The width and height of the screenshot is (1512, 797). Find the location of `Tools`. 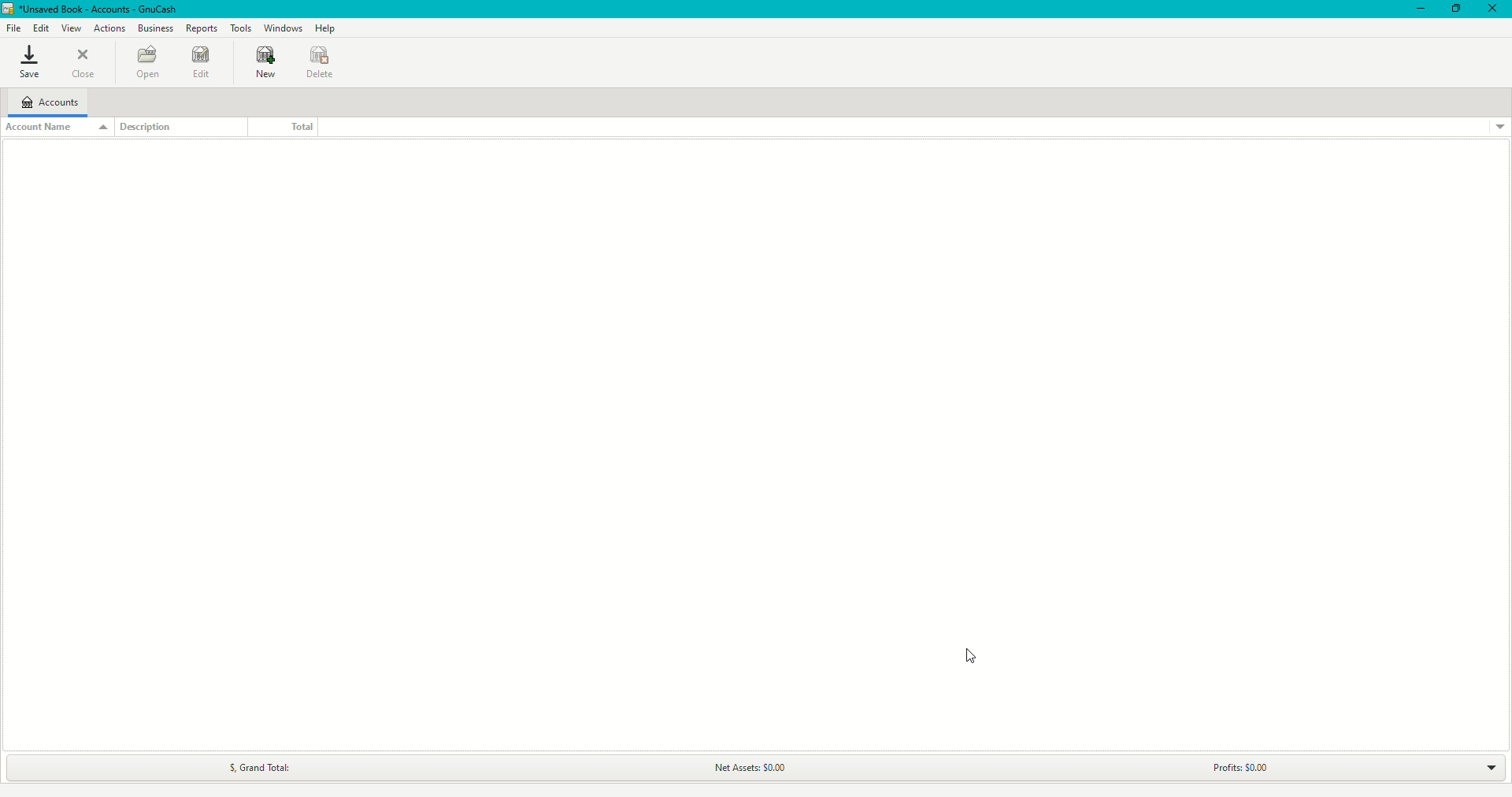

Tools is located at coordinates (243, 27).